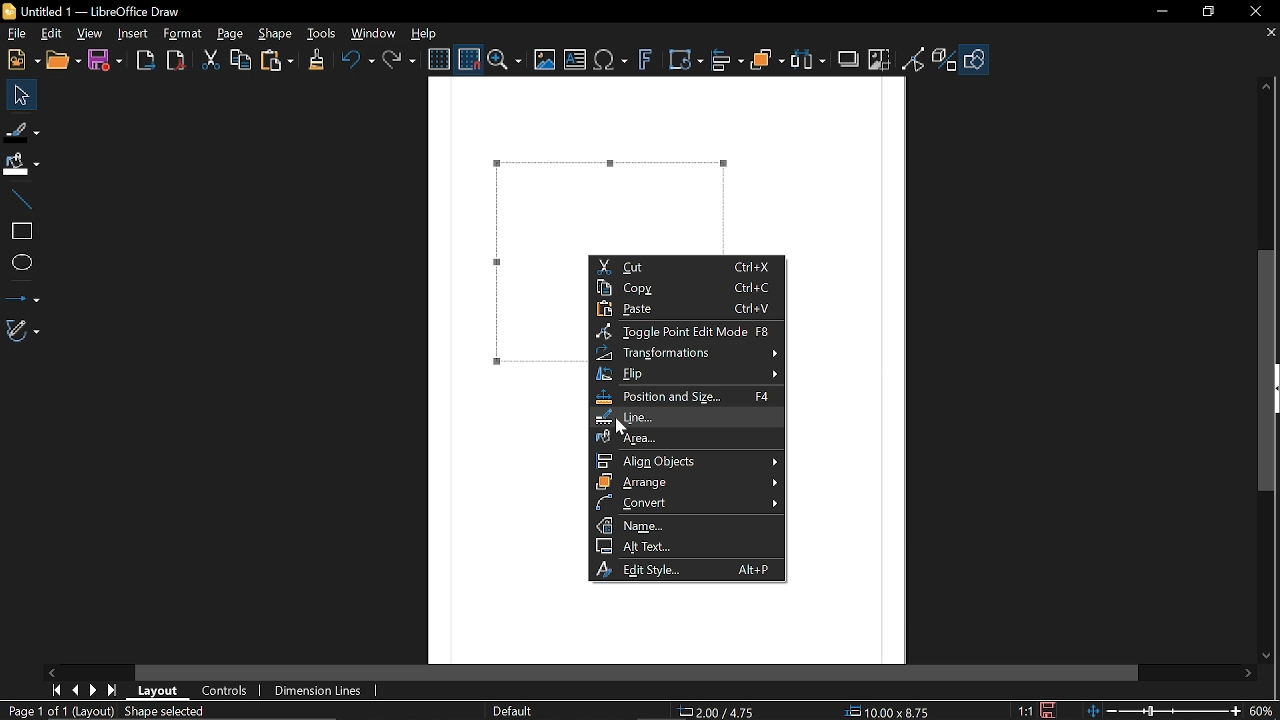 The height and width of the screenshot is (720, 1280). Describe the element at coordinates (318, 58) in the screenshot. I see `CLone` at that location.